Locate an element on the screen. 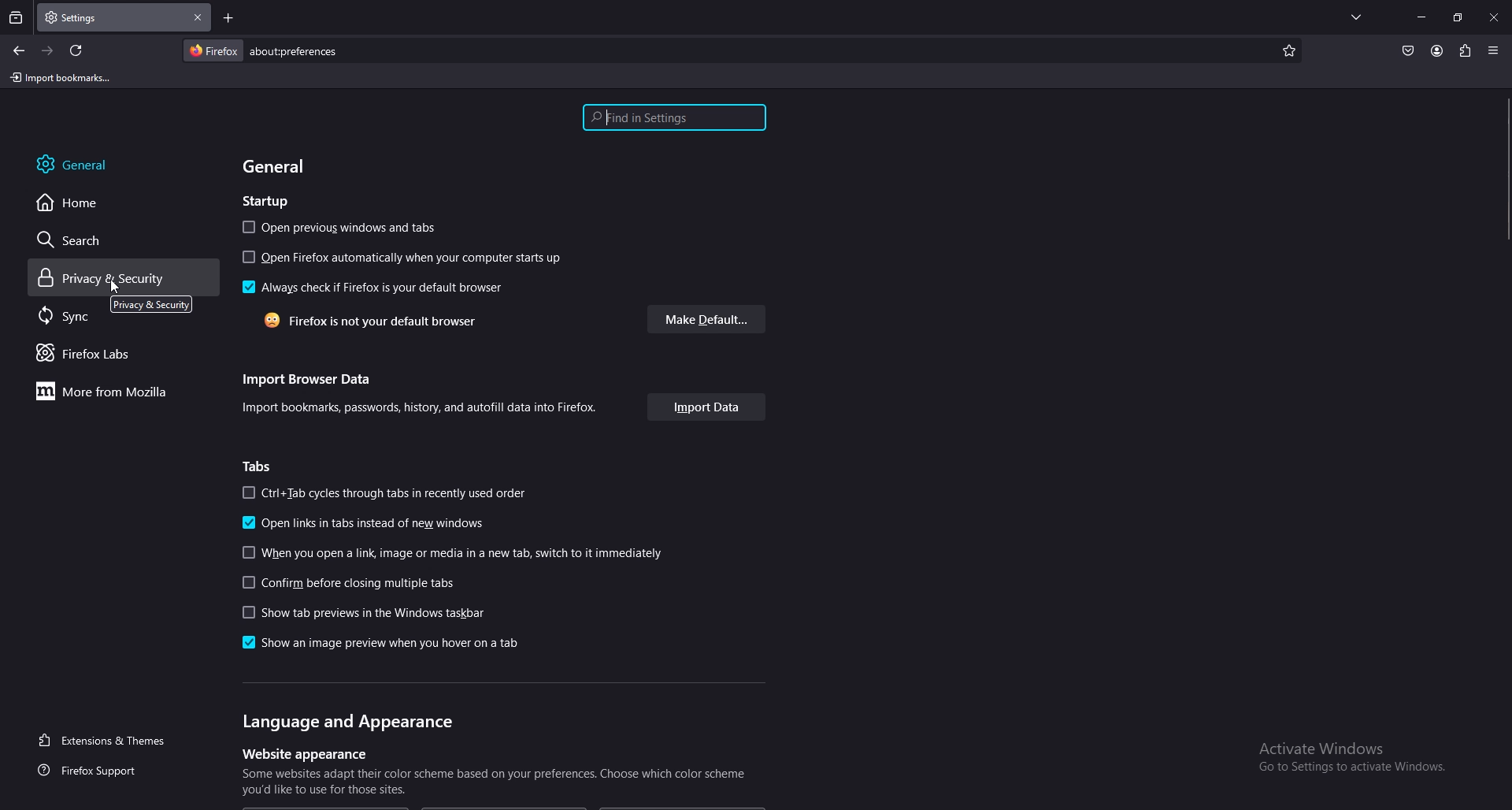 The width and height of the screenshot is (1512, 810). home is located at coordinates (91, 203).